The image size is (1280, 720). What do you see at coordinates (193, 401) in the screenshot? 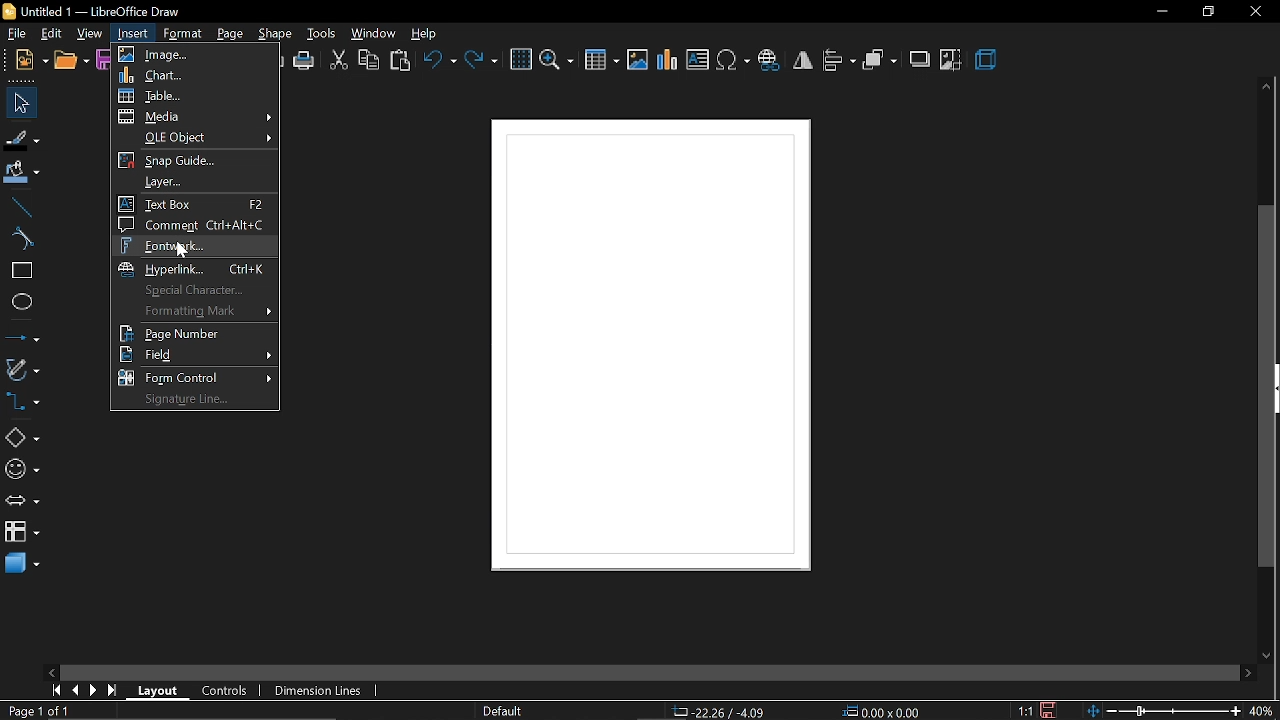
I see `signature line` at bounding box center [193, 401].